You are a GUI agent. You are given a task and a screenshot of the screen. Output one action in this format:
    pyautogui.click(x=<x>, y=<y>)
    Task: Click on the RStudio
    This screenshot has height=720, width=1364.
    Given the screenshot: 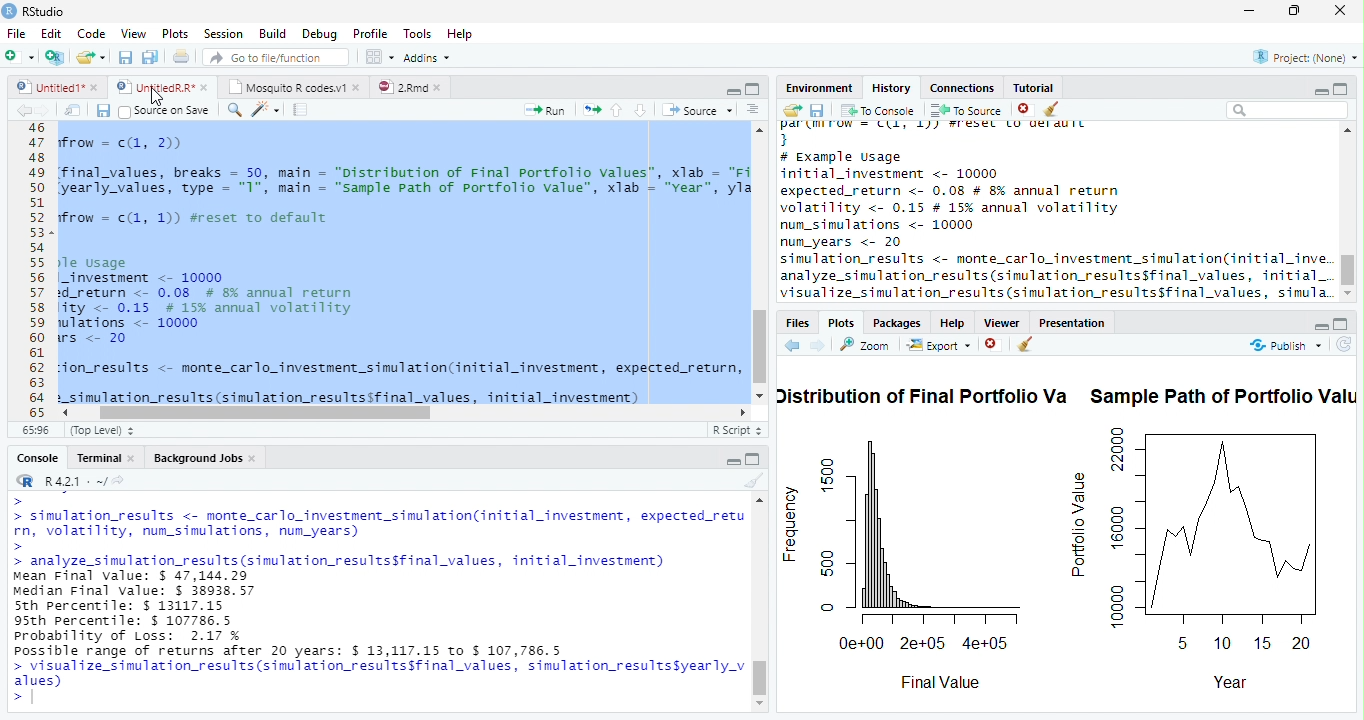 What is the action you would take?
    pyautogui.click(x=34, y=11)
    